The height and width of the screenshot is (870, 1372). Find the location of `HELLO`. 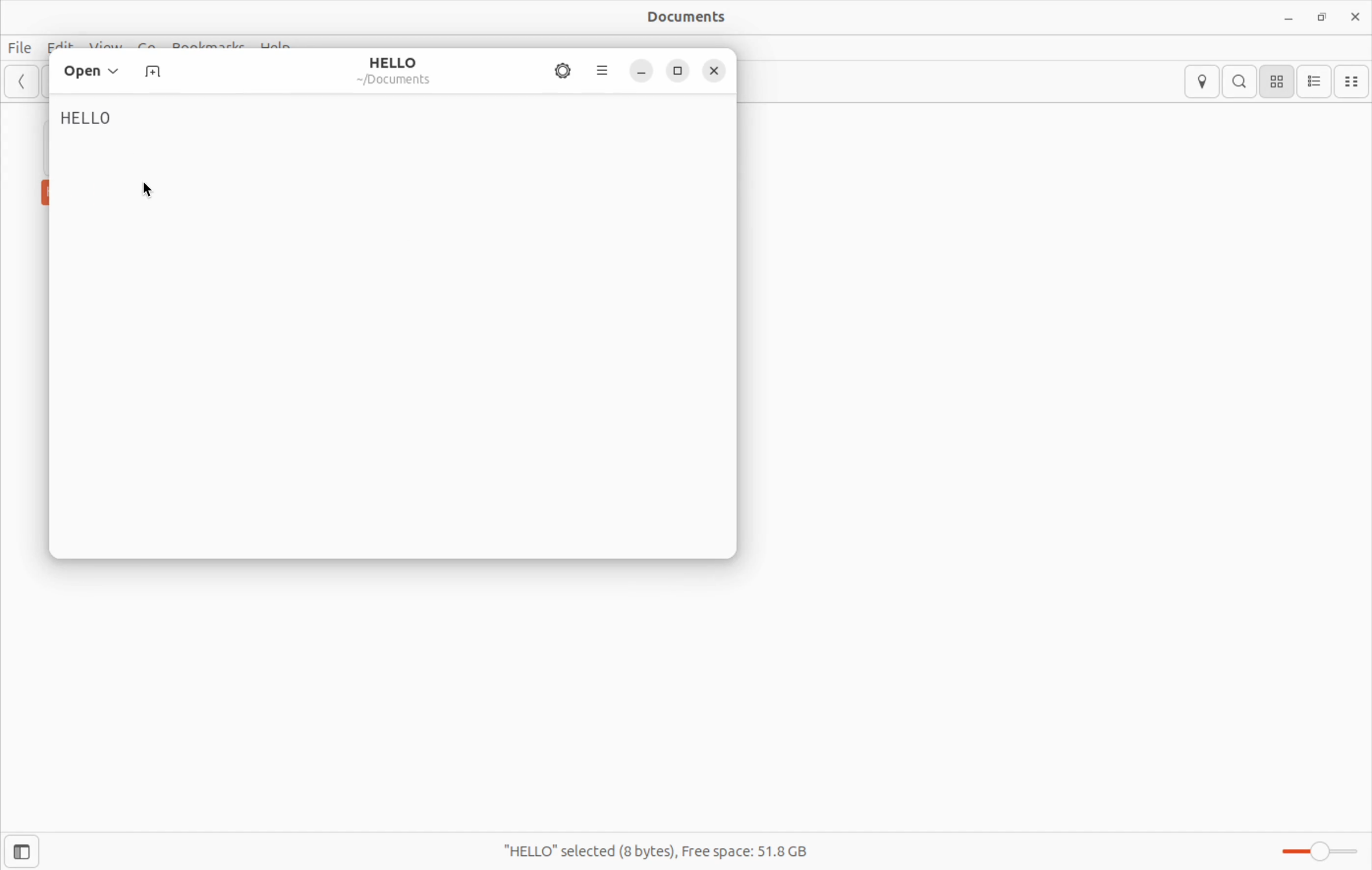

HELLO is located at coordinates (96, 118).